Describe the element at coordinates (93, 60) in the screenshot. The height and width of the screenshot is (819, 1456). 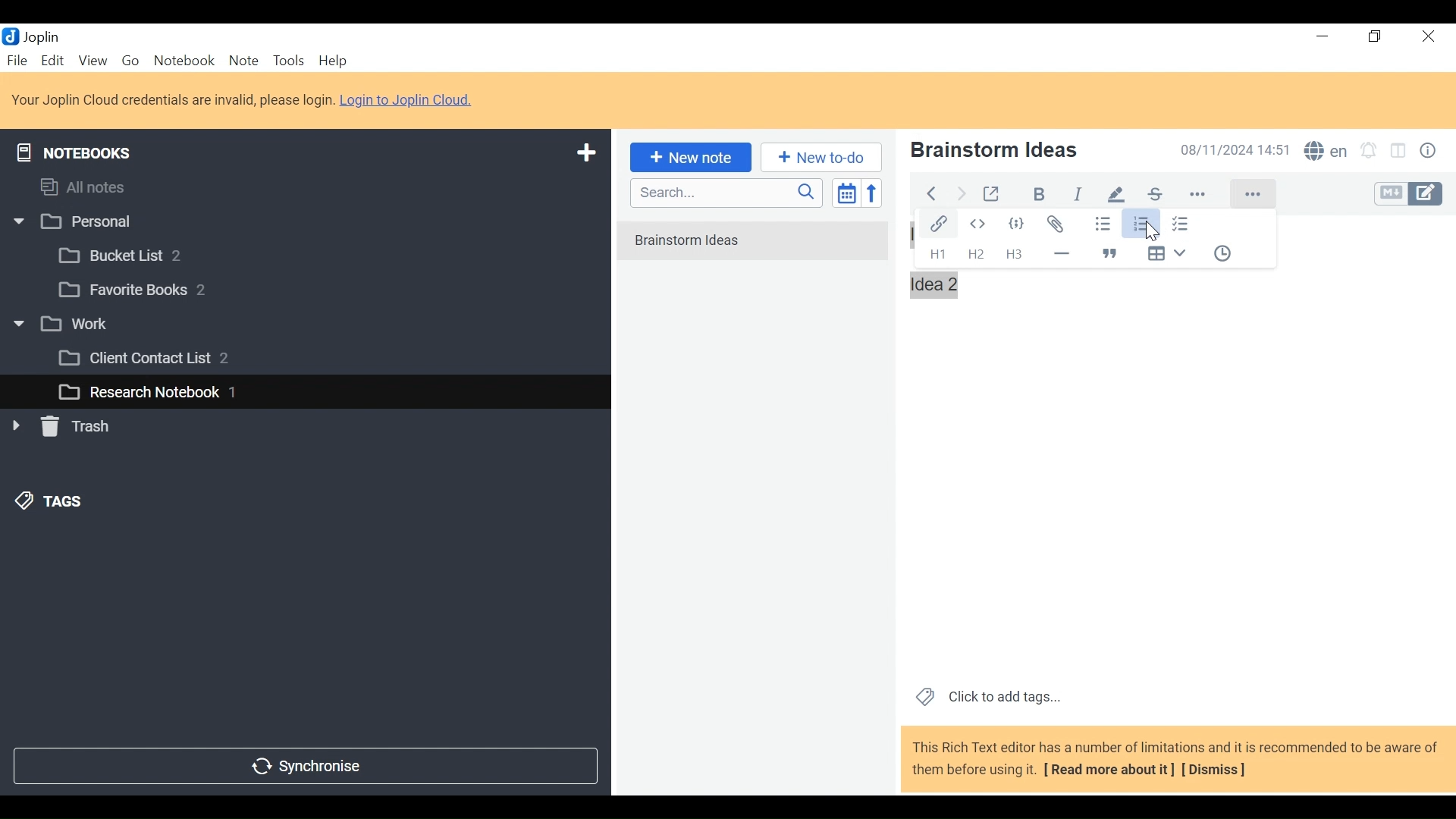
I see `View` at that location.